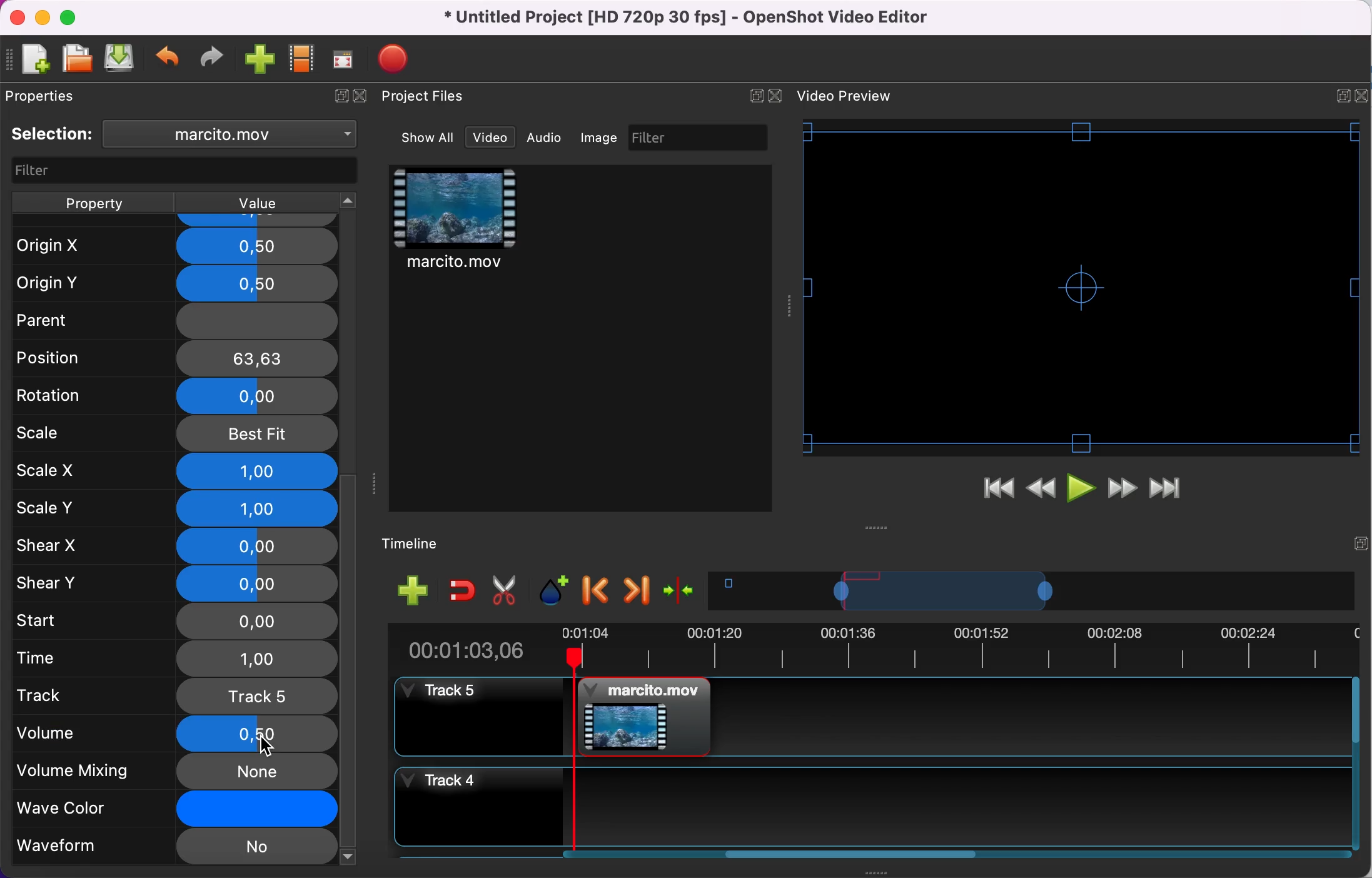 Image resolution: width=1372 pixels, height=878 pixels. I want to click on Expand/Collapse, so click(1343, 96).